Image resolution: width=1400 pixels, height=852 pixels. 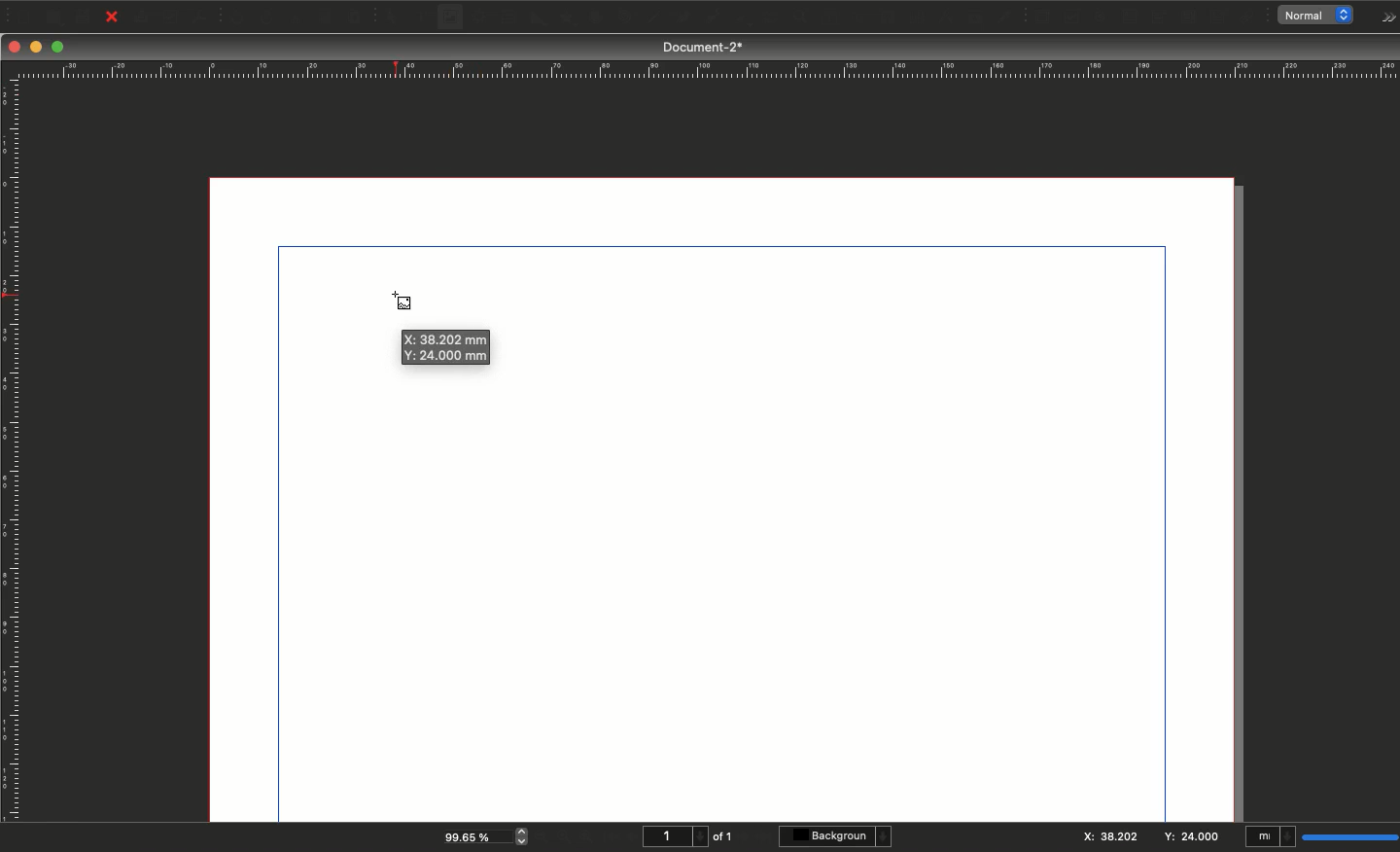 I want to click on mI, so click(x=1271, y=838).